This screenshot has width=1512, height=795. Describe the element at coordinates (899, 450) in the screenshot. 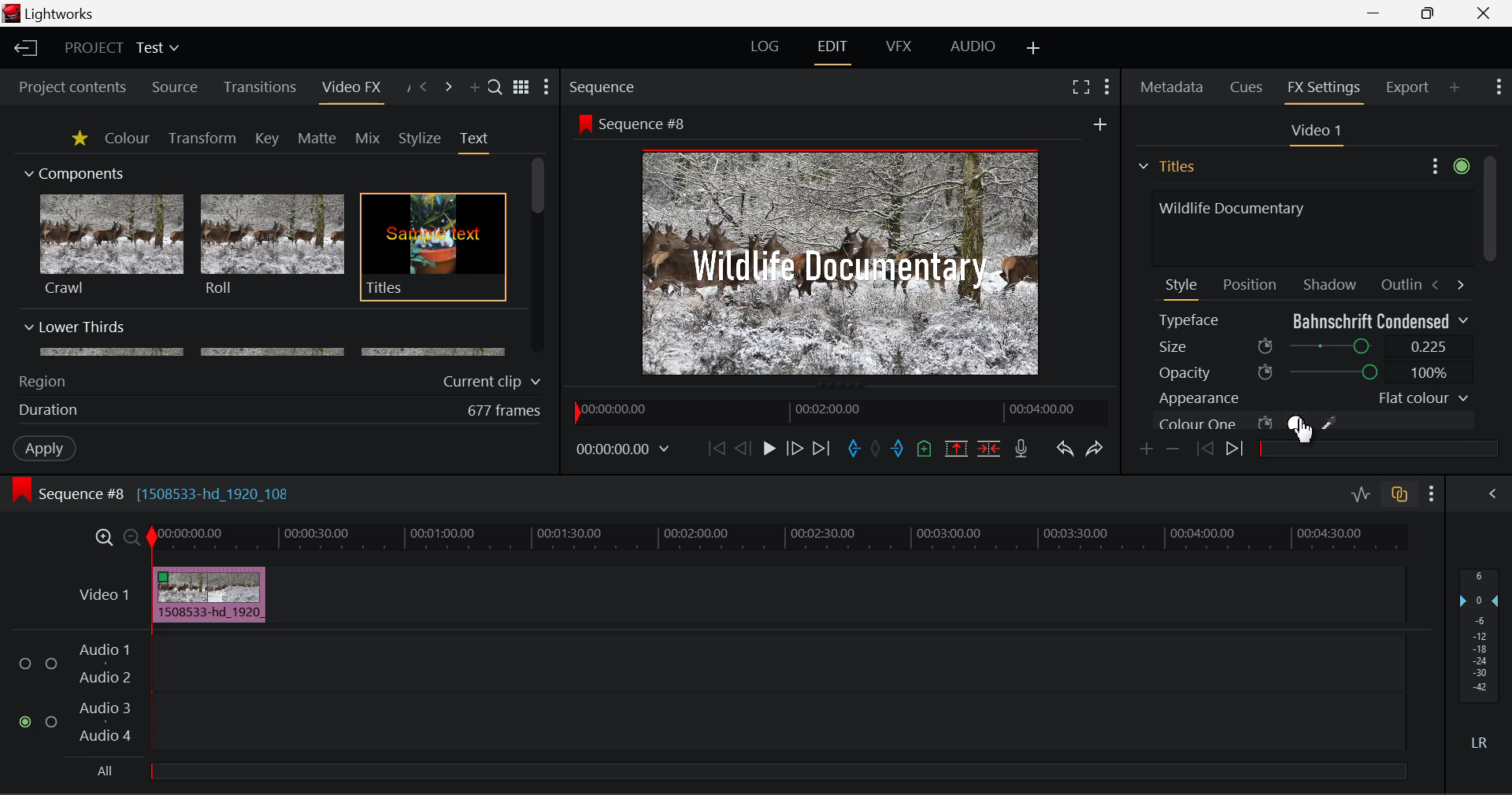

I see `Mark Out` at that location.